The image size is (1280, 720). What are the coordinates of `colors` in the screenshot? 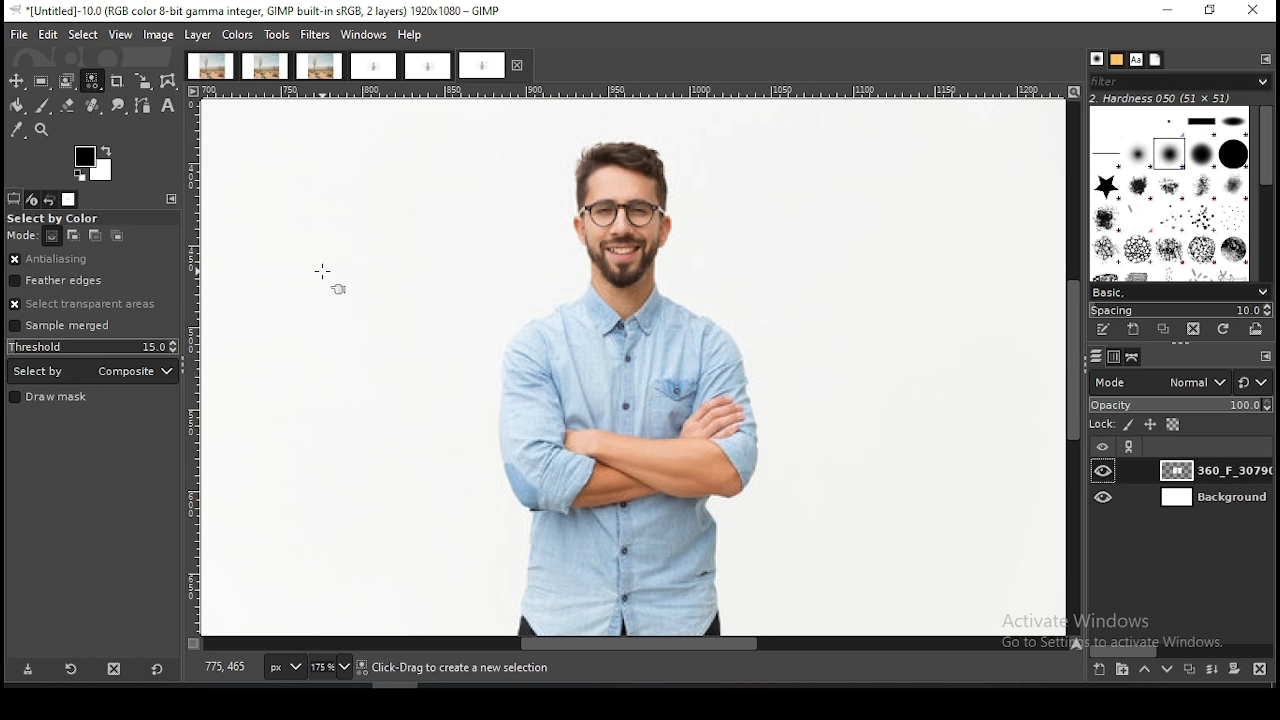 It's located at (95, 164).